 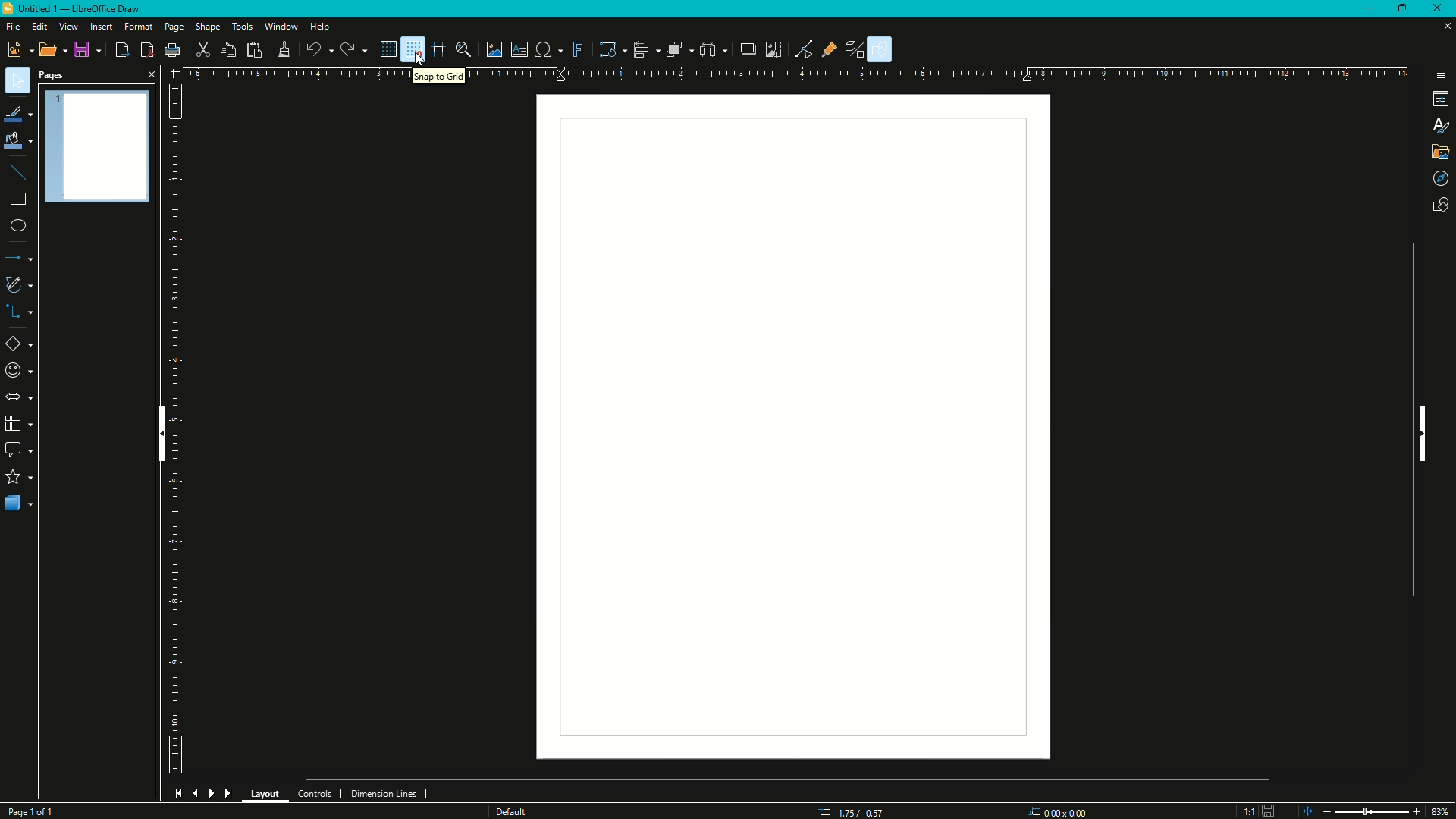 I want to click on Curves and polygons, so click(x=27, y=284).